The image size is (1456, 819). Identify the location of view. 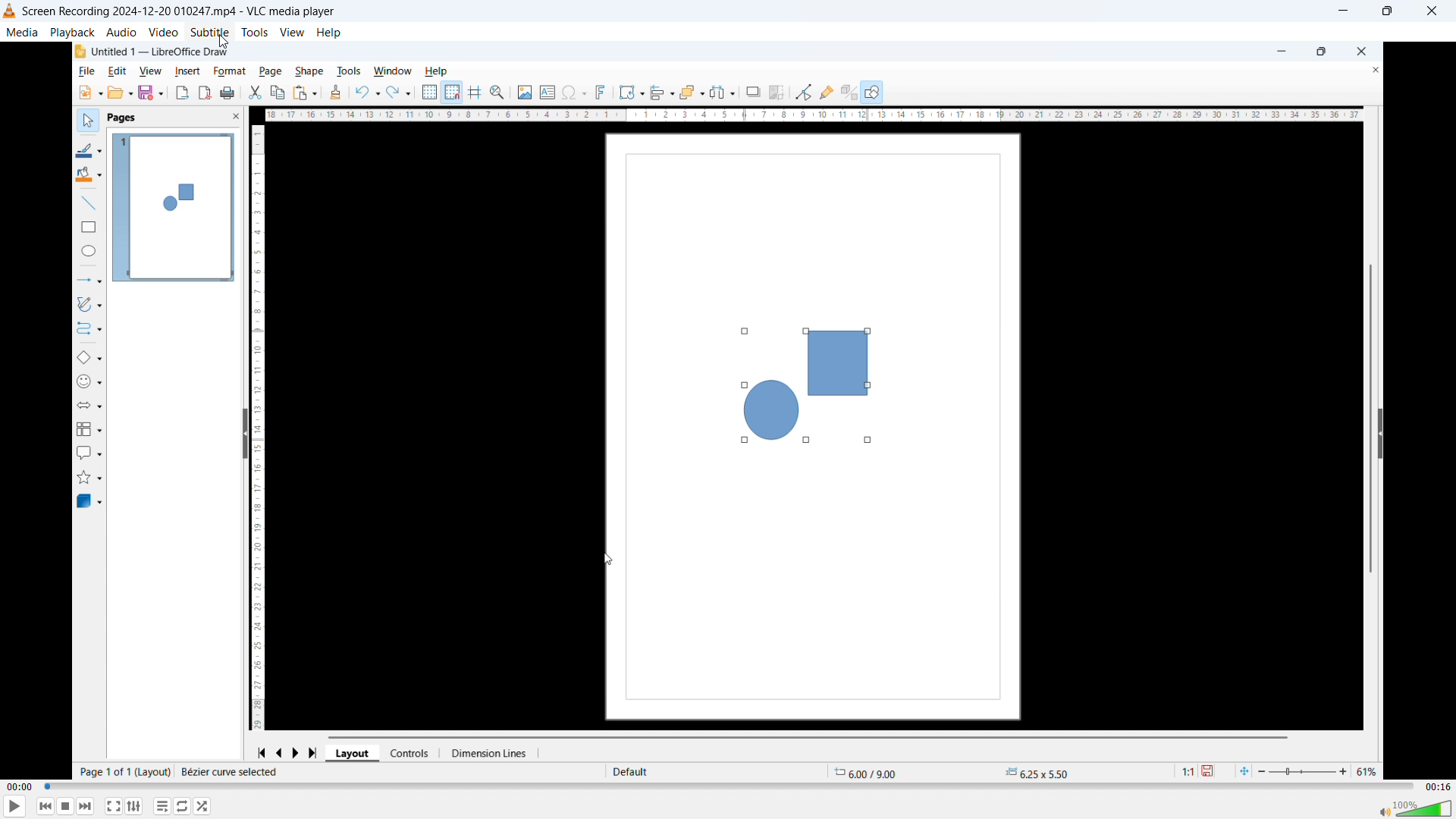
(149, 71).